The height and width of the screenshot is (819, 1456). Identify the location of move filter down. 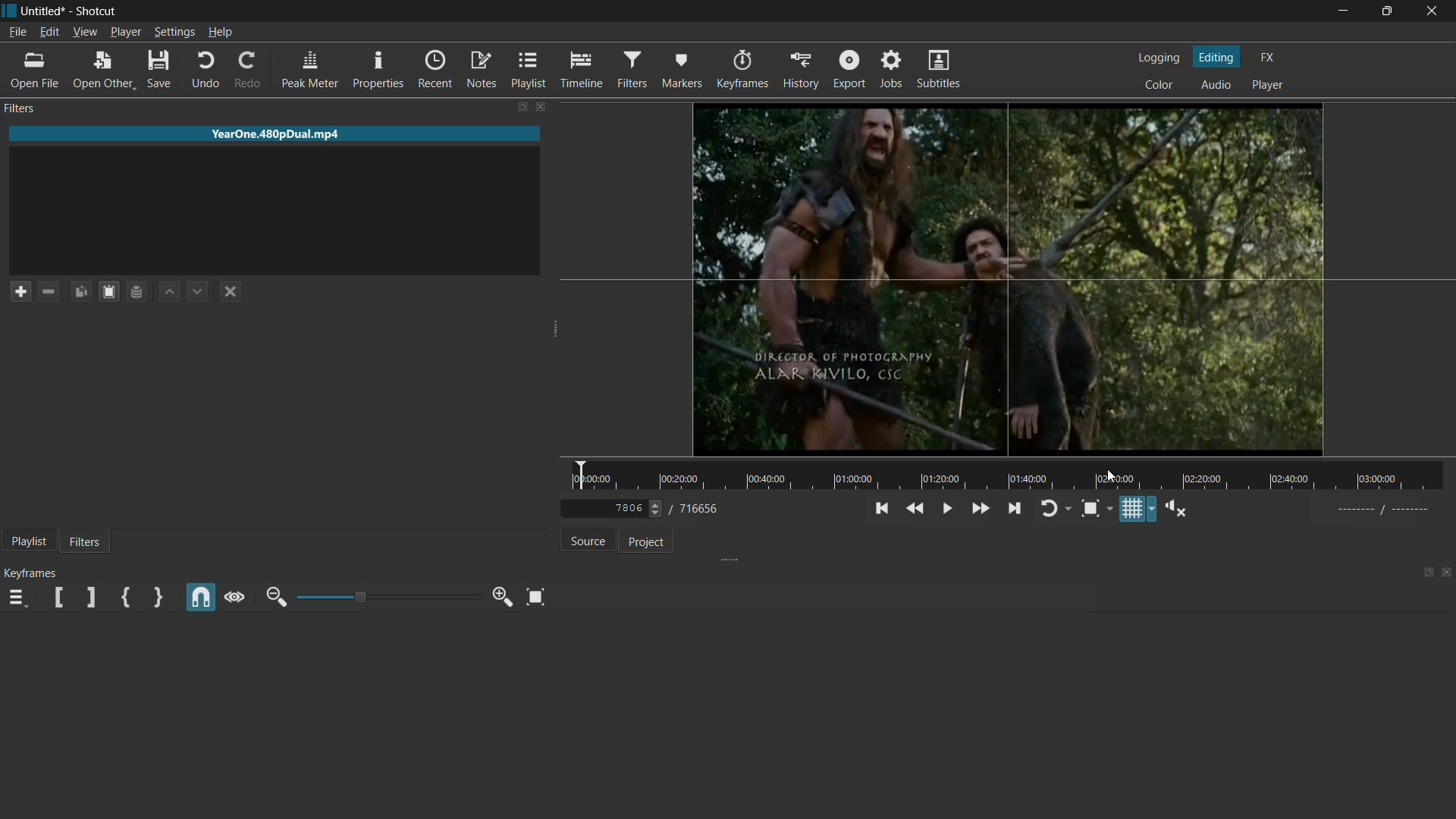
(196, 291).